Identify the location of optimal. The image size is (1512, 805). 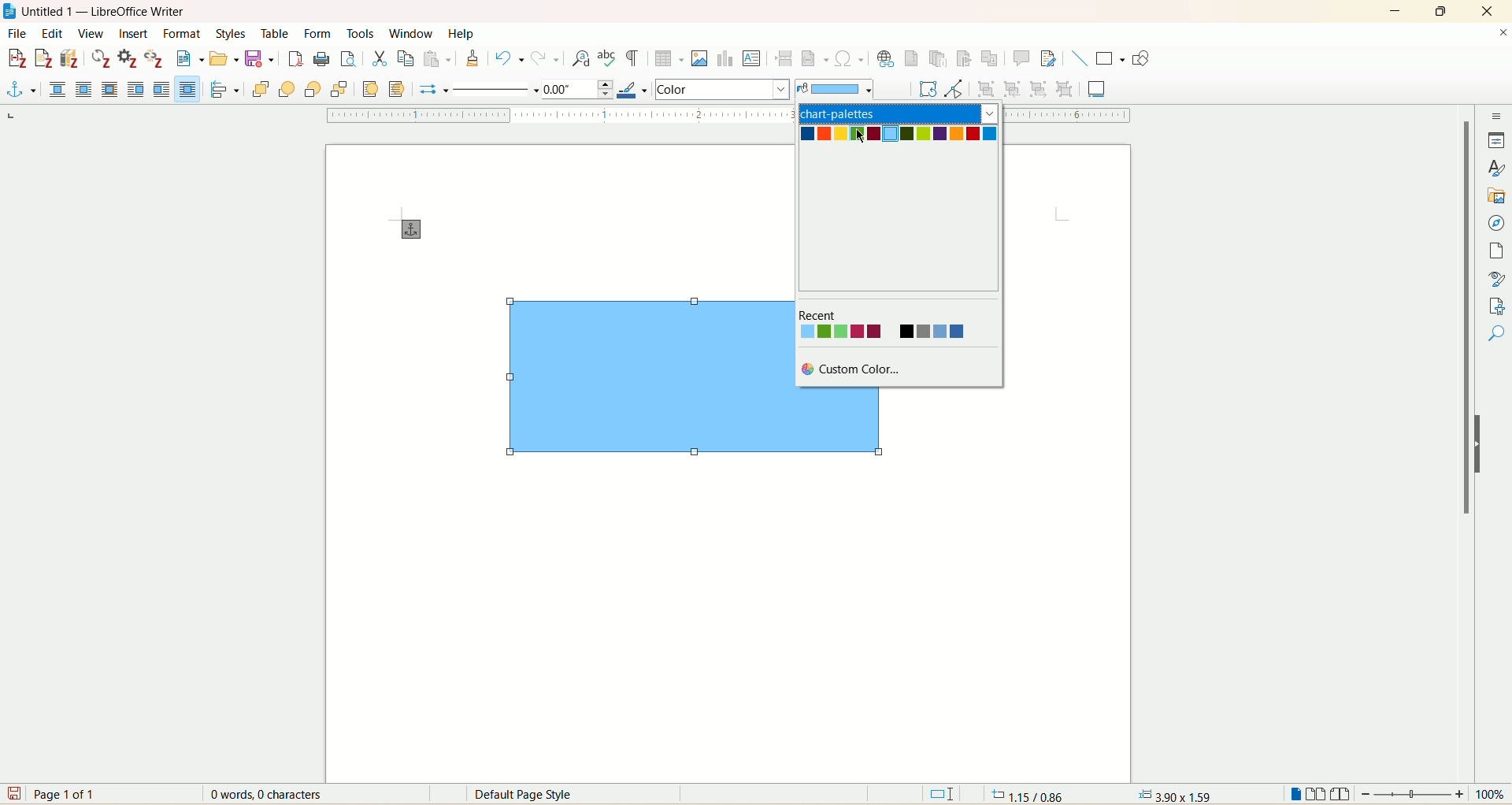
(108, 88).